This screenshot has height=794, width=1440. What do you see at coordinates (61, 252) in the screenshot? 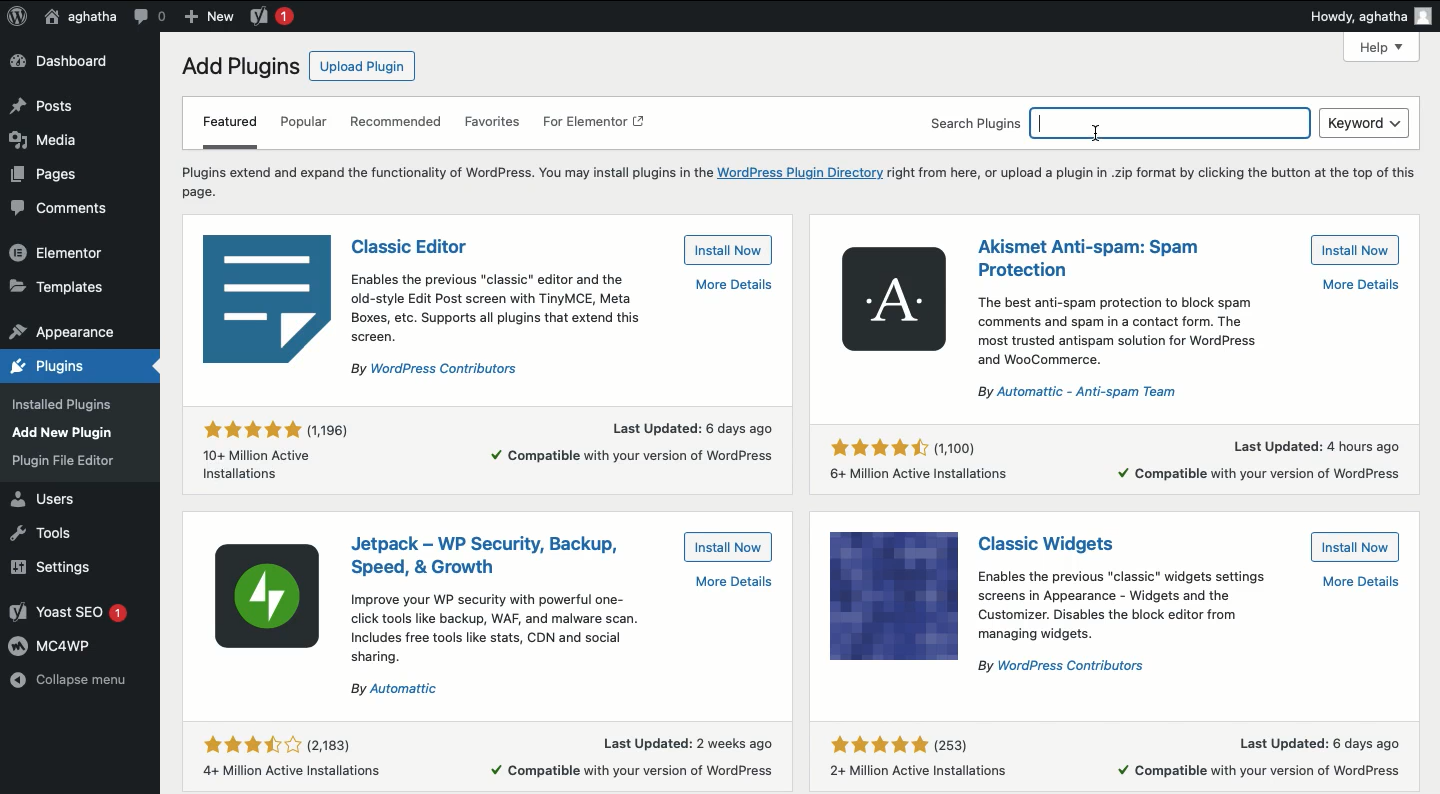
I see `Elementor` at bounding box center [61, 252].